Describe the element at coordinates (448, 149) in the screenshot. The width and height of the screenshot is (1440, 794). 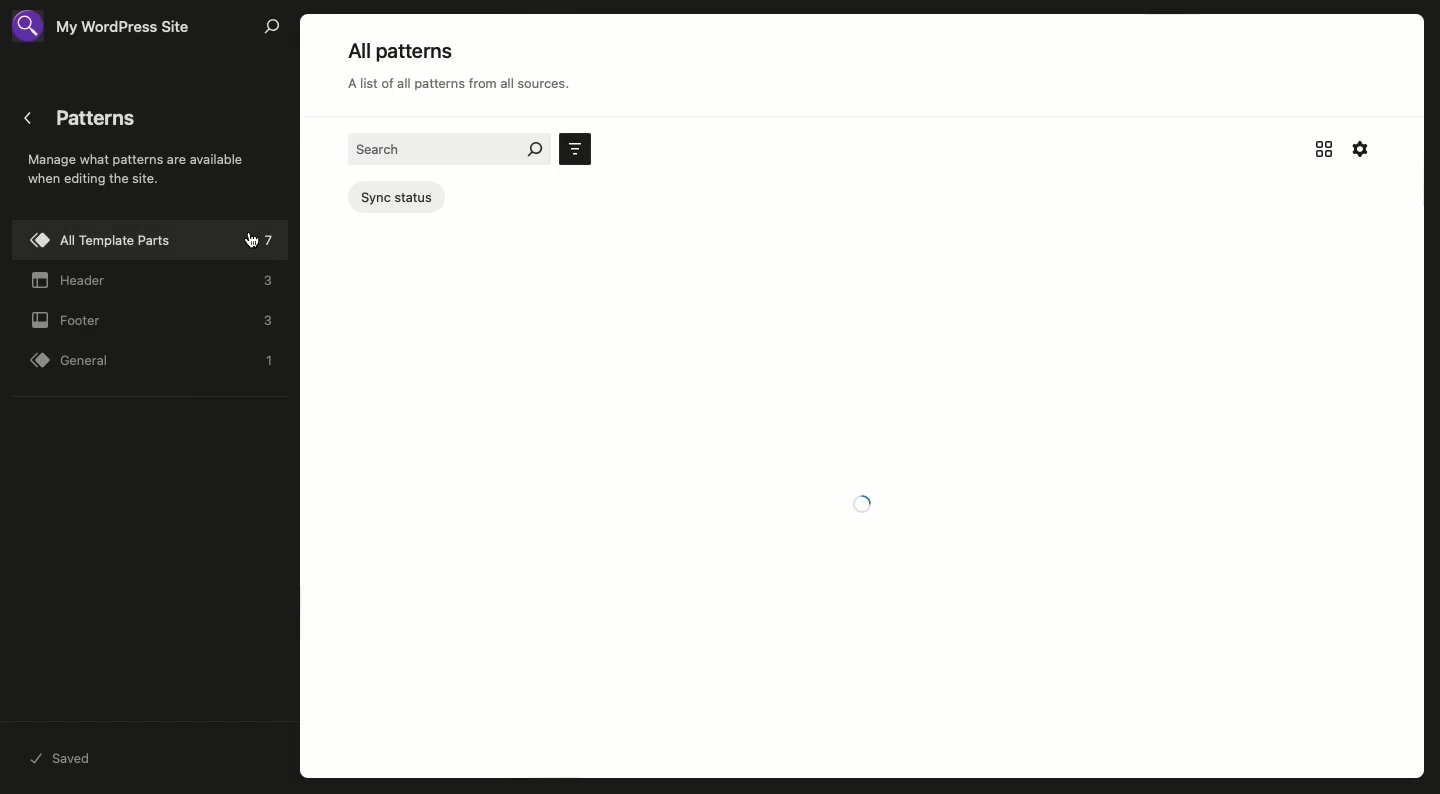
I see `Search` at that location.